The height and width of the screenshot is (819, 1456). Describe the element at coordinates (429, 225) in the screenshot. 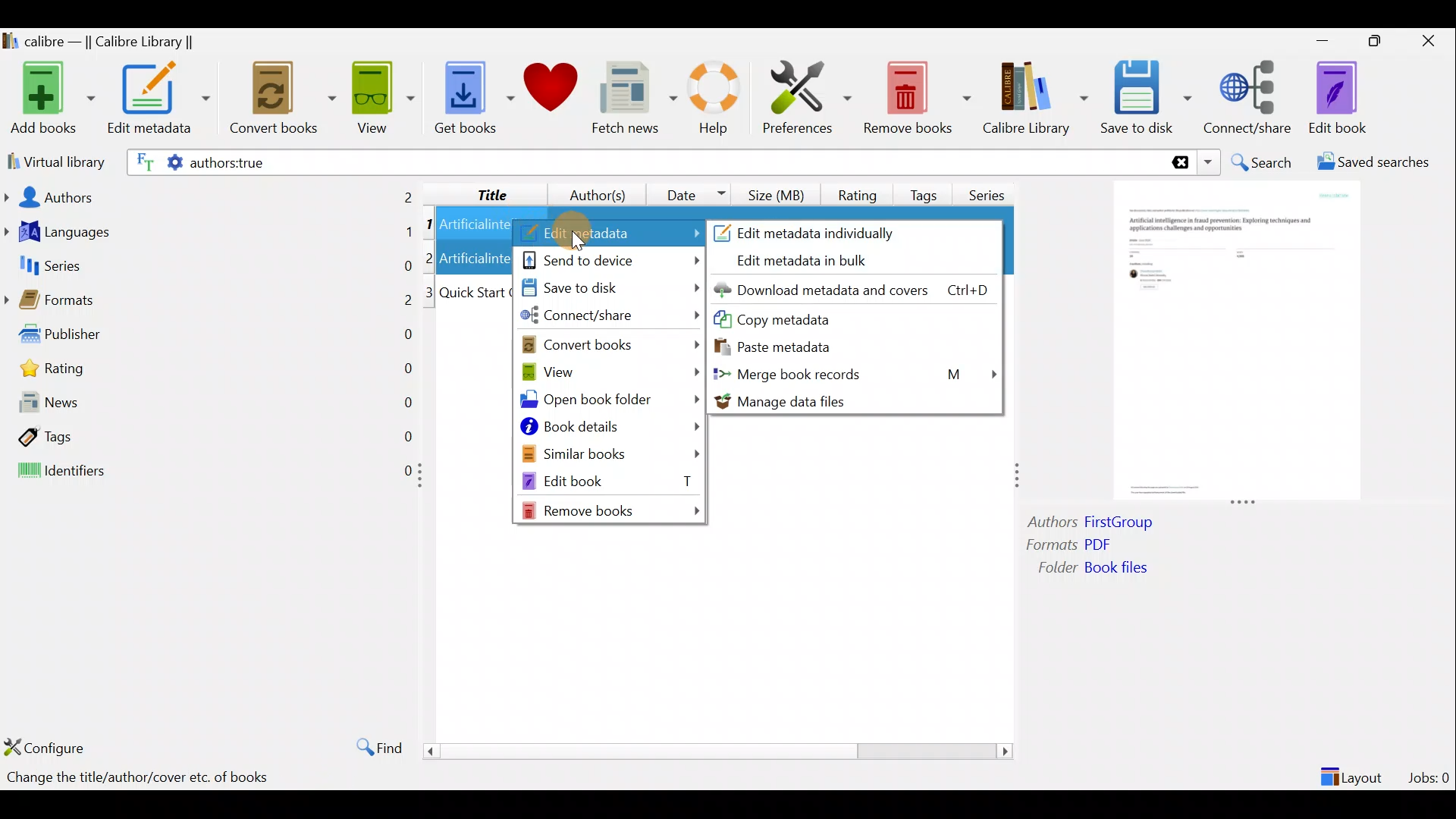

I see `1` at that location.